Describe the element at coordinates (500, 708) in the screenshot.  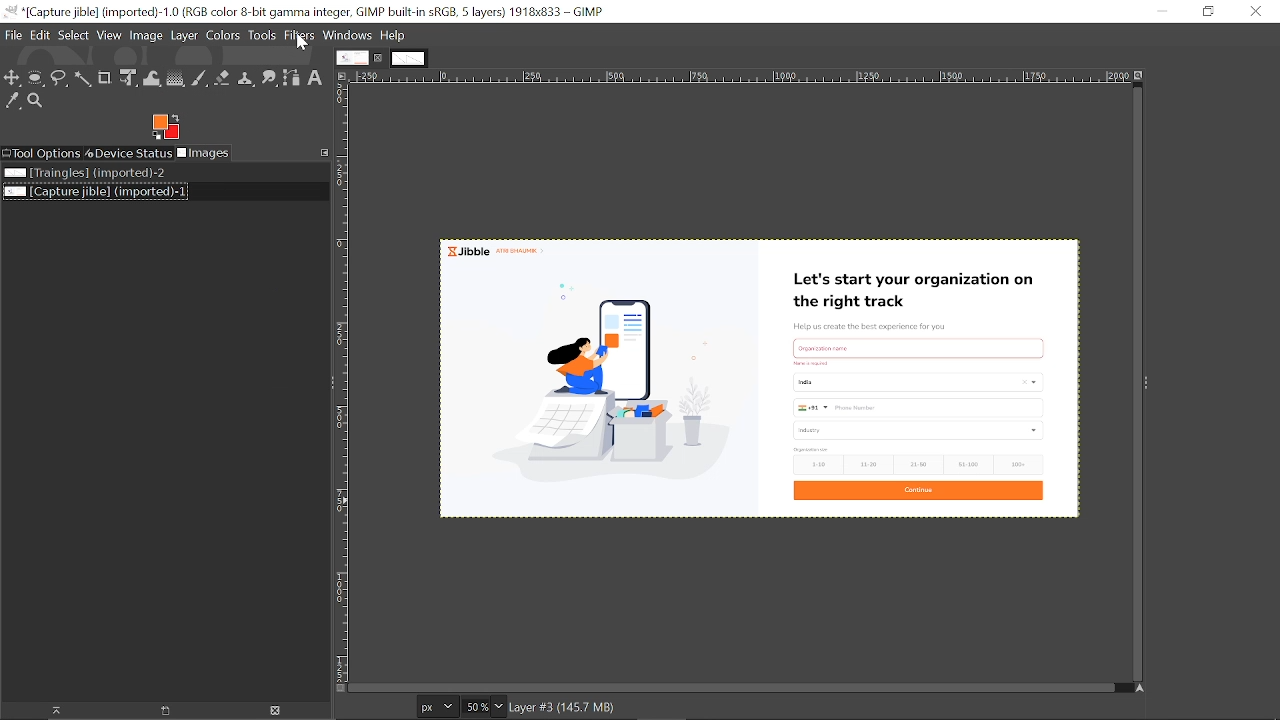
I see `Current zoom` at that location.